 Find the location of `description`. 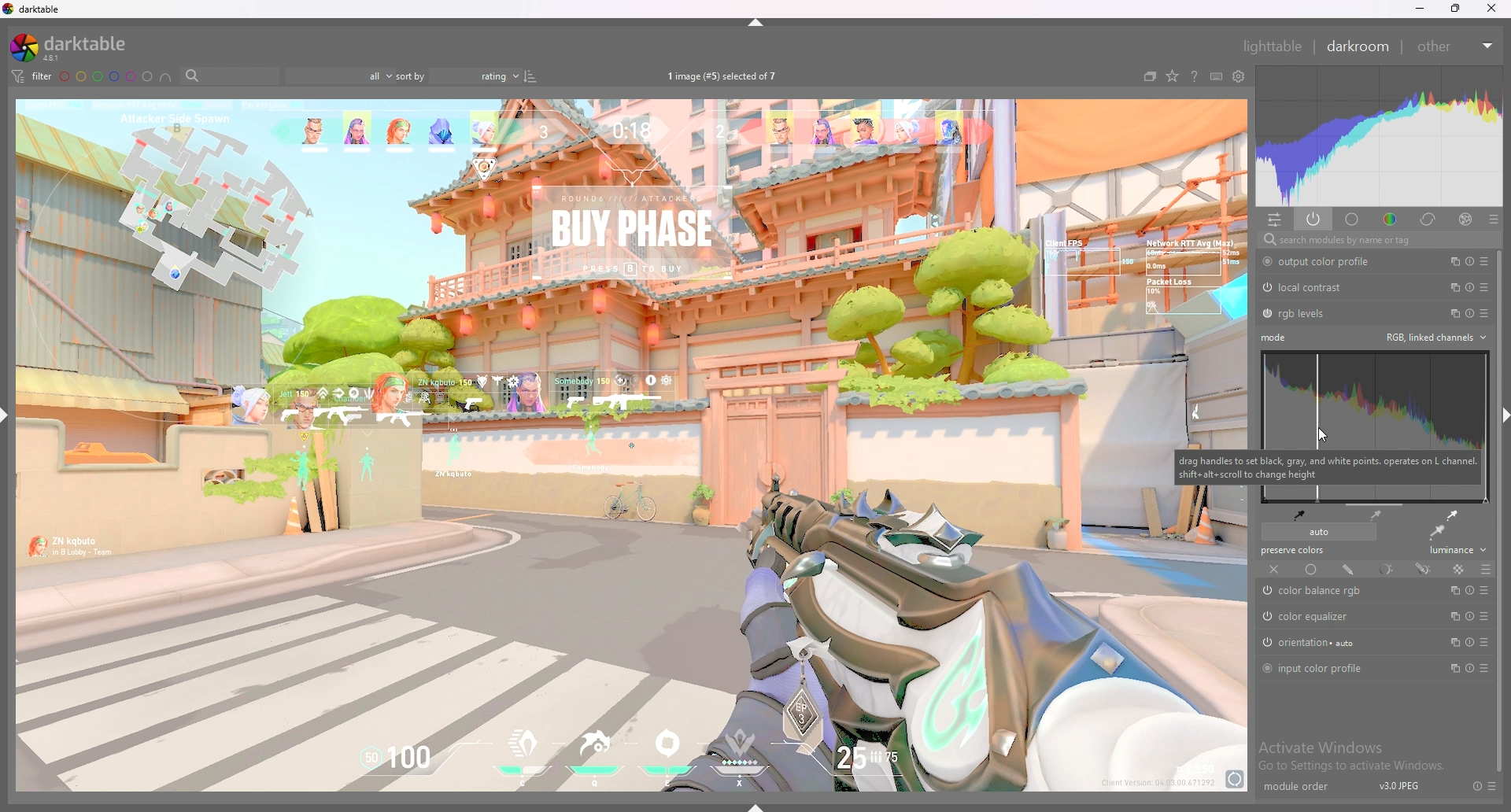

description is located at coordinates (1328, 467).